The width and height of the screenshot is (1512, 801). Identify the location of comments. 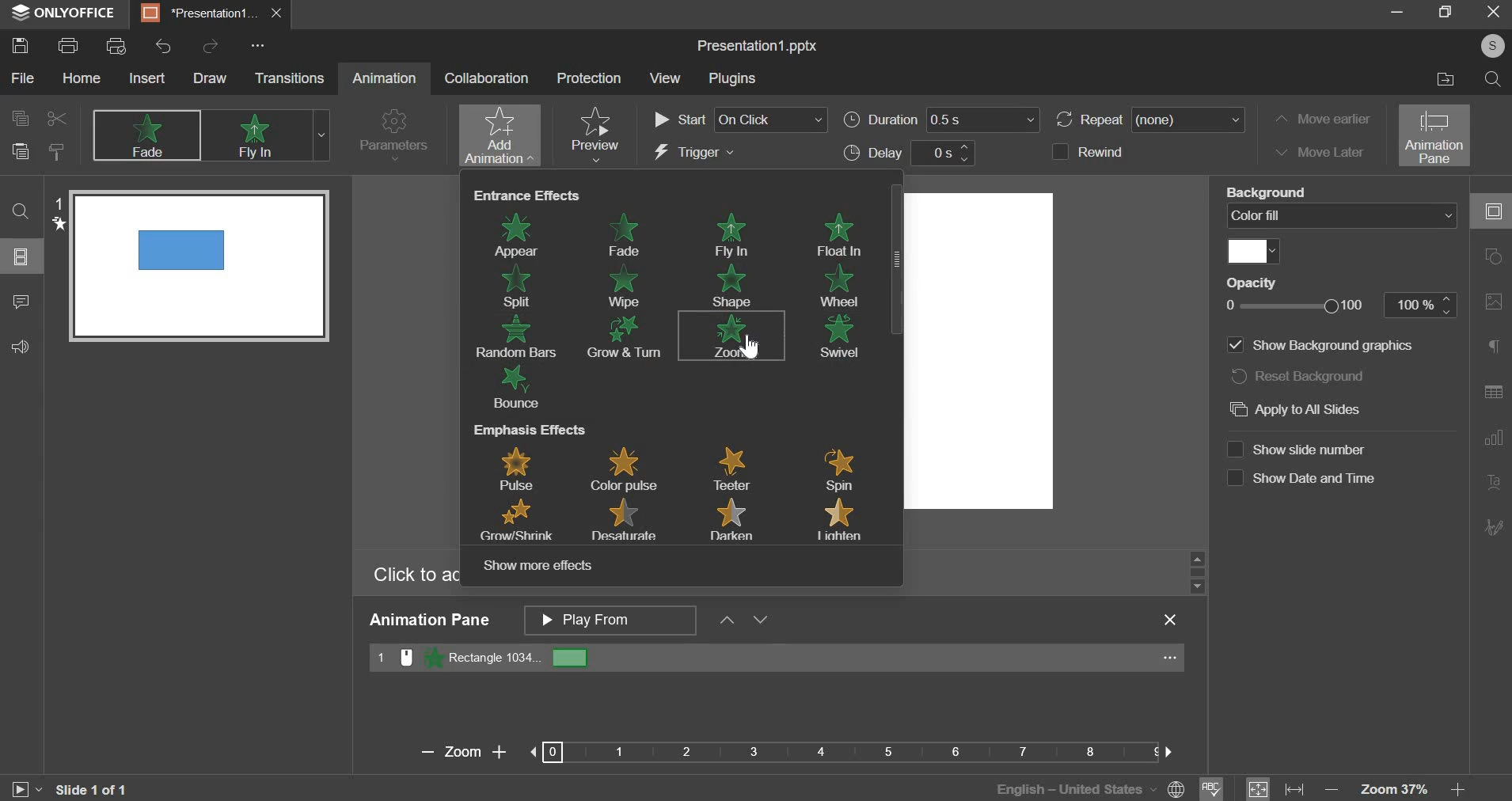
(25, 302).